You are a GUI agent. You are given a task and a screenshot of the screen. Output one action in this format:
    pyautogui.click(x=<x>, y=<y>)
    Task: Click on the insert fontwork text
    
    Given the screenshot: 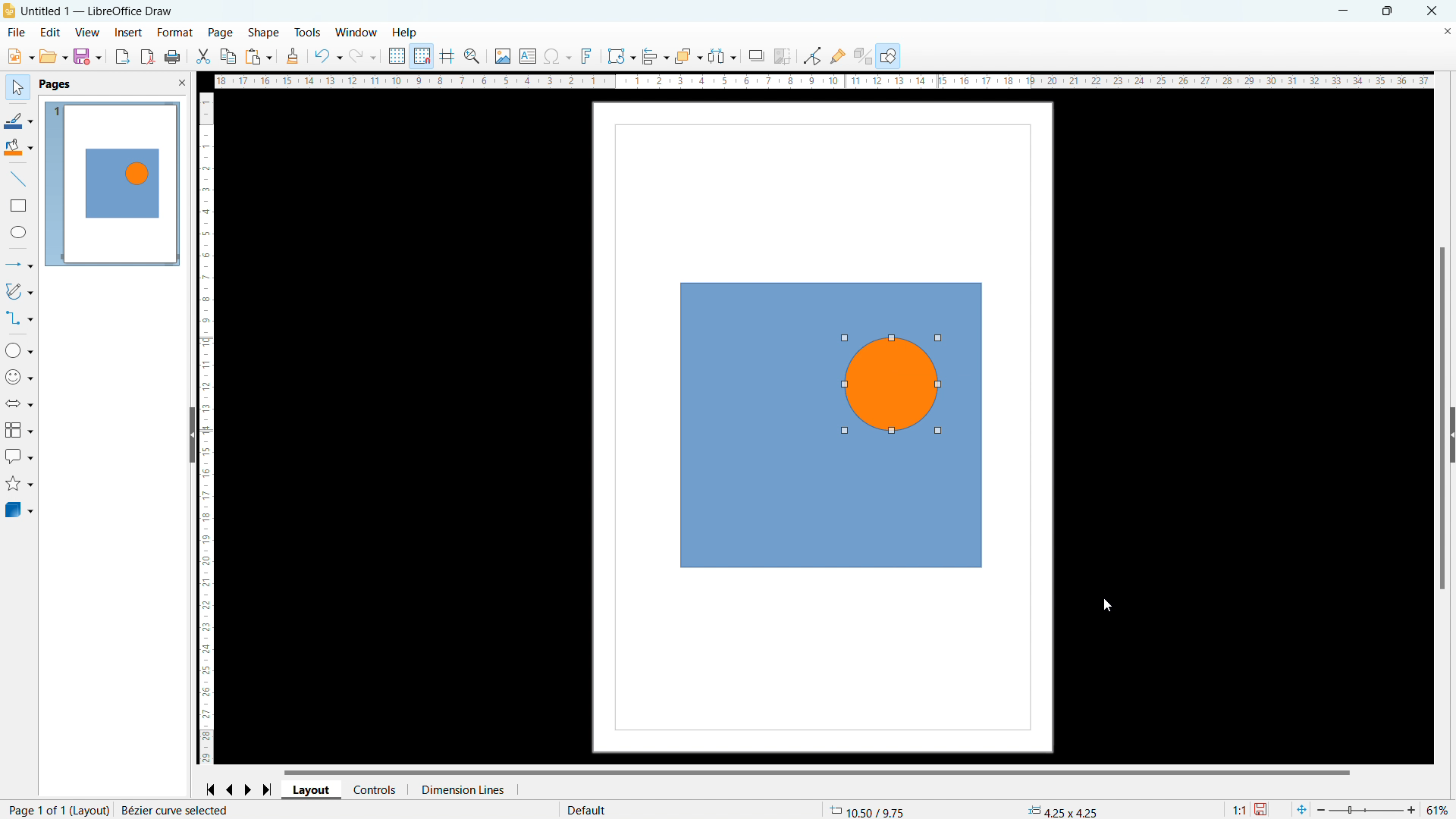 What is the action you would take?
    pyautogui.click(x=587, y=56)
    